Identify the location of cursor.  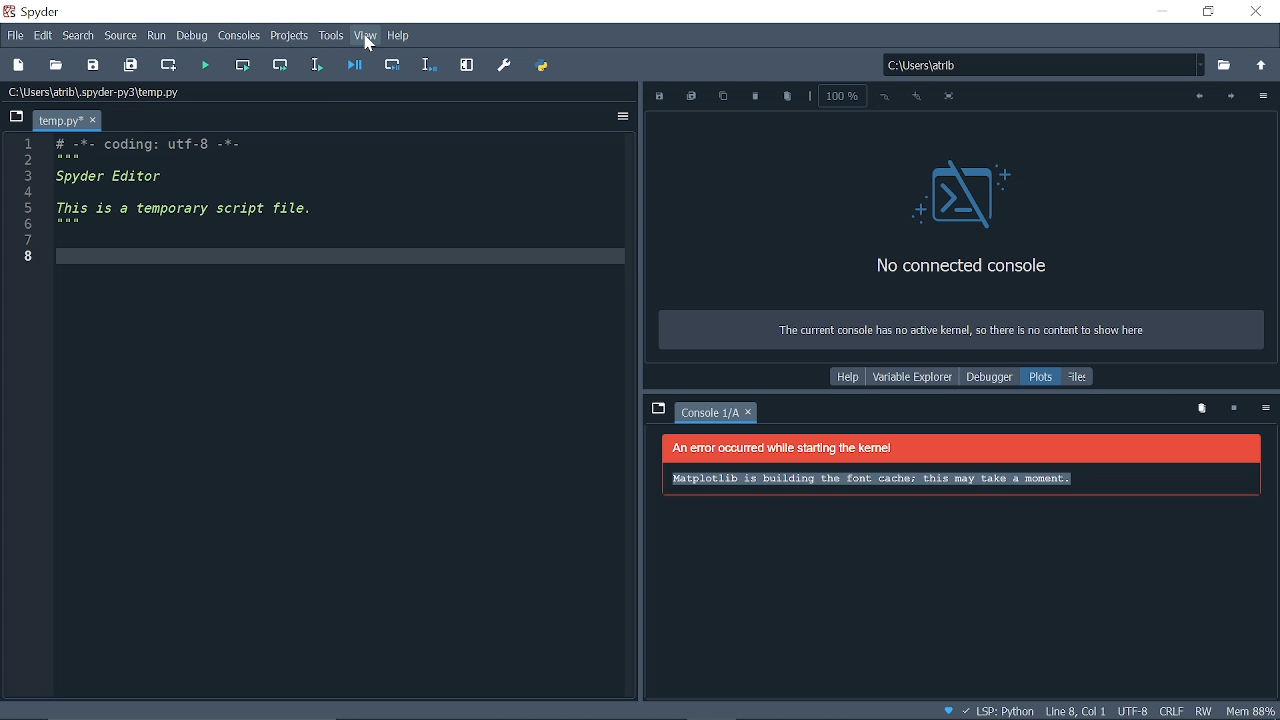
(368, 46).